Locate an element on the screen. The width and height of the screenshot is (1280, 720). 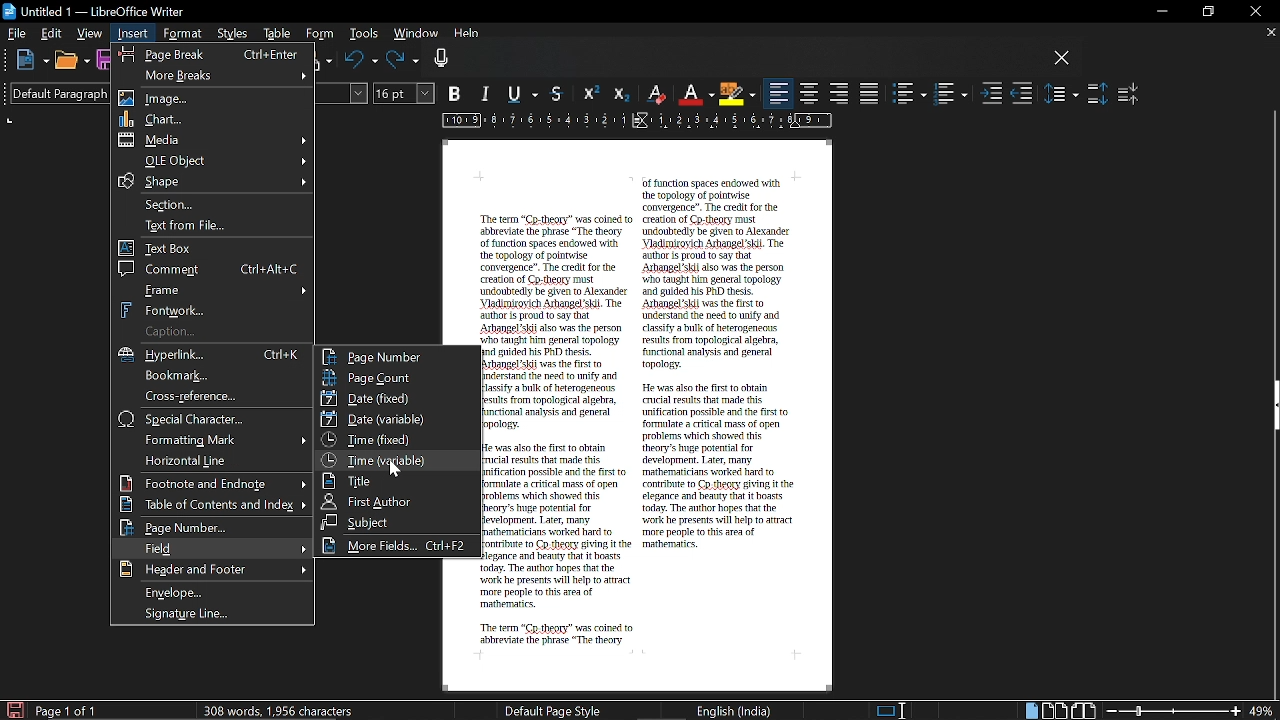
Find is located at coordinates (209, 548).